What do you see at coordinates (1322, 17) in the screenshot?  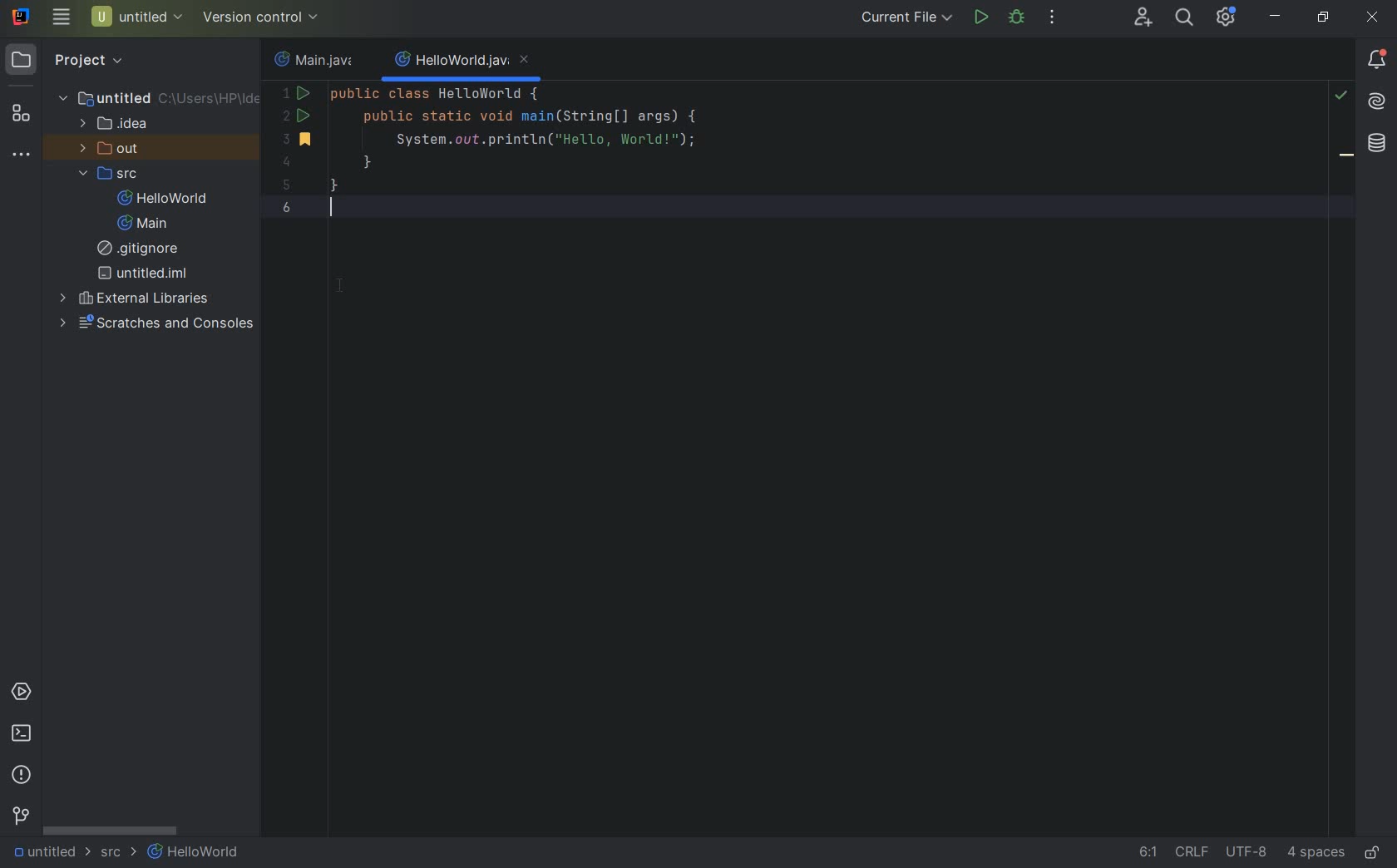 I see `restore down` at bounding box center [1322, 17].